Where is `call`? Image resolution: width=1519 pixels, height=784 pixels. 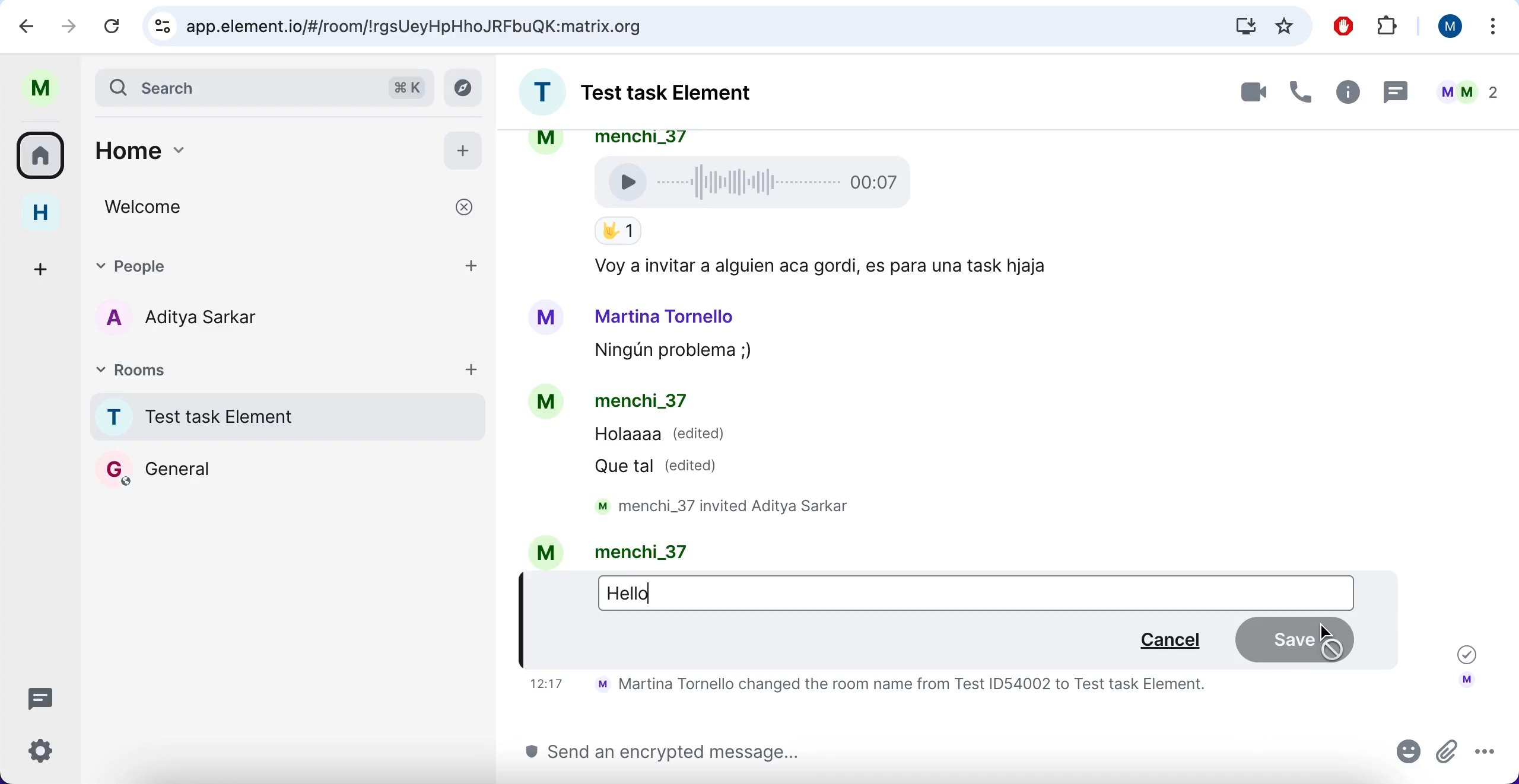 call is located at coordinates (1302, 94).